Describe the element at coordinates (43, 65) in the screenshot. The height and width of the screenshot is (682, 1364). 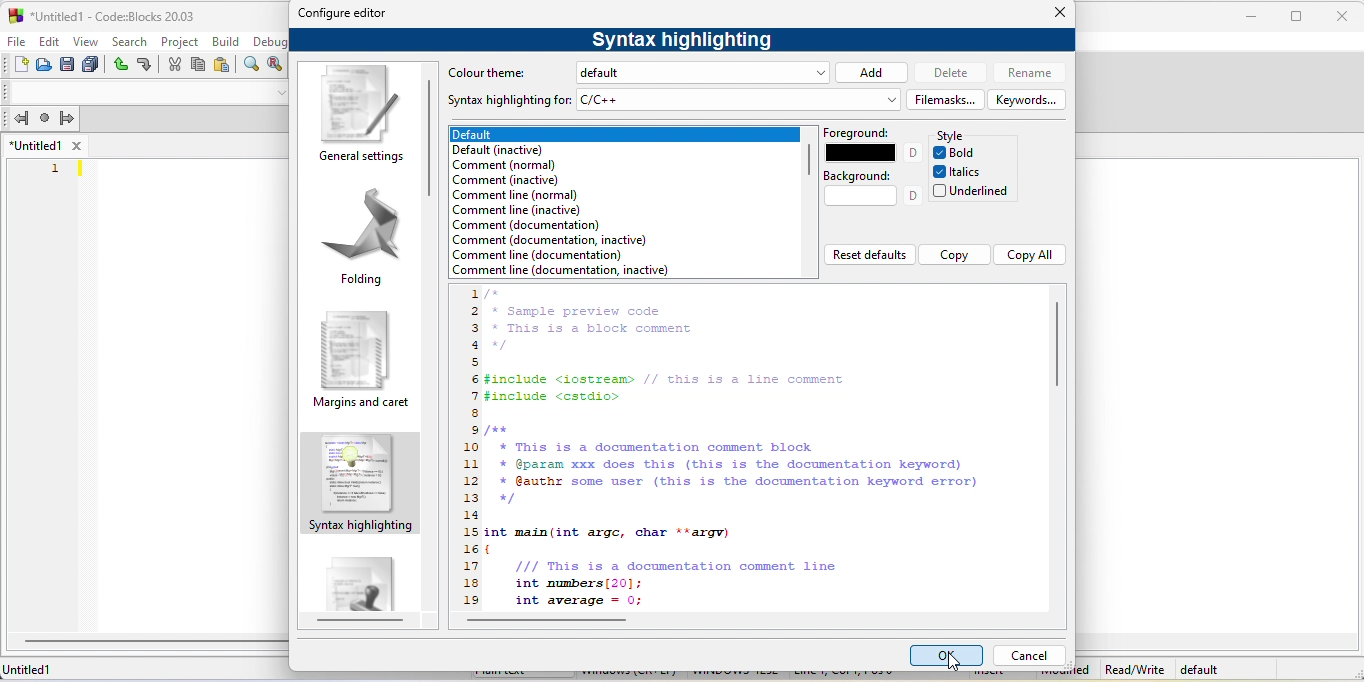
I see `open` at that location.